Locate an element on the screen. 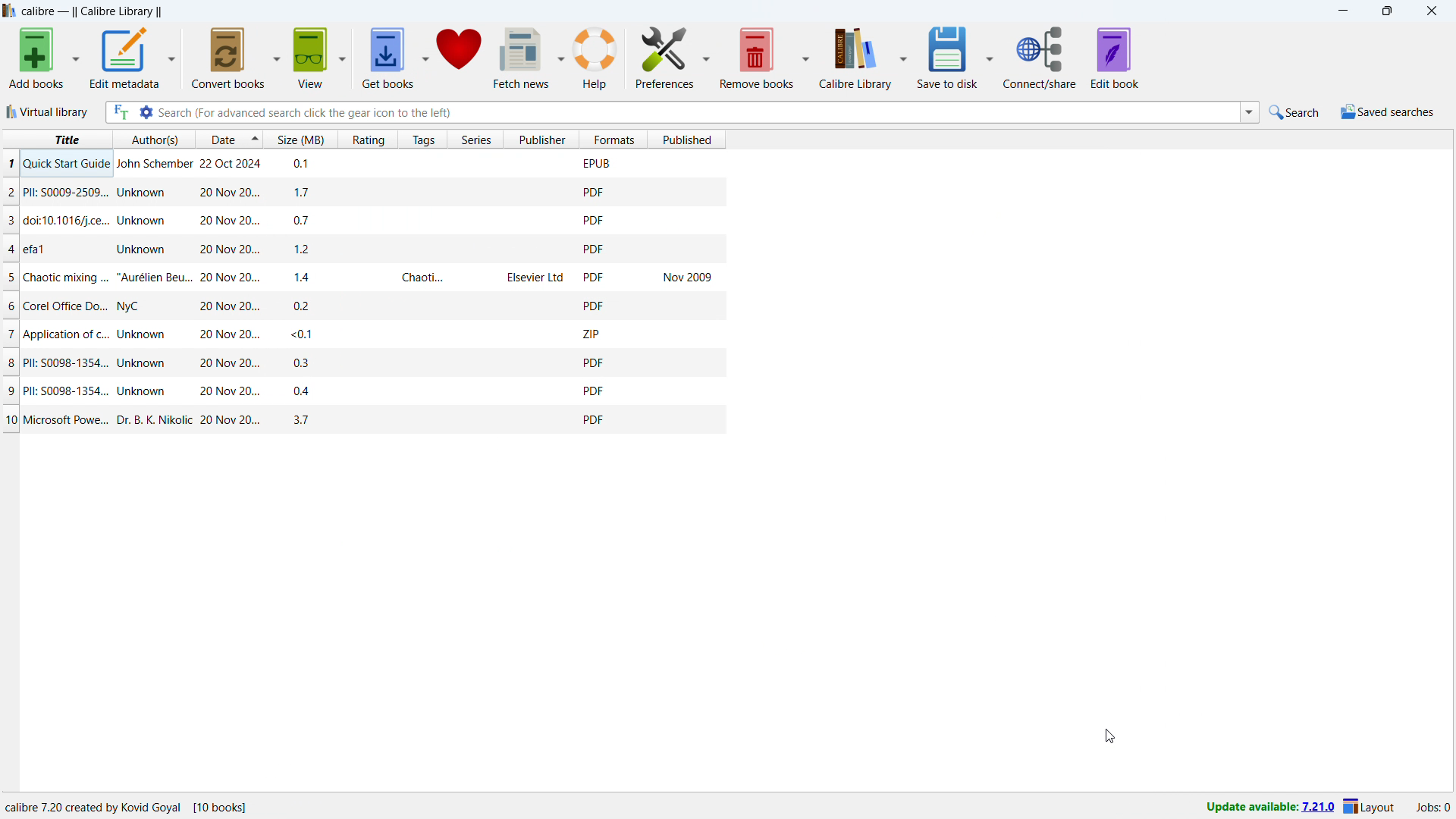  saved searches menu is located at coordinates (1388, 111).